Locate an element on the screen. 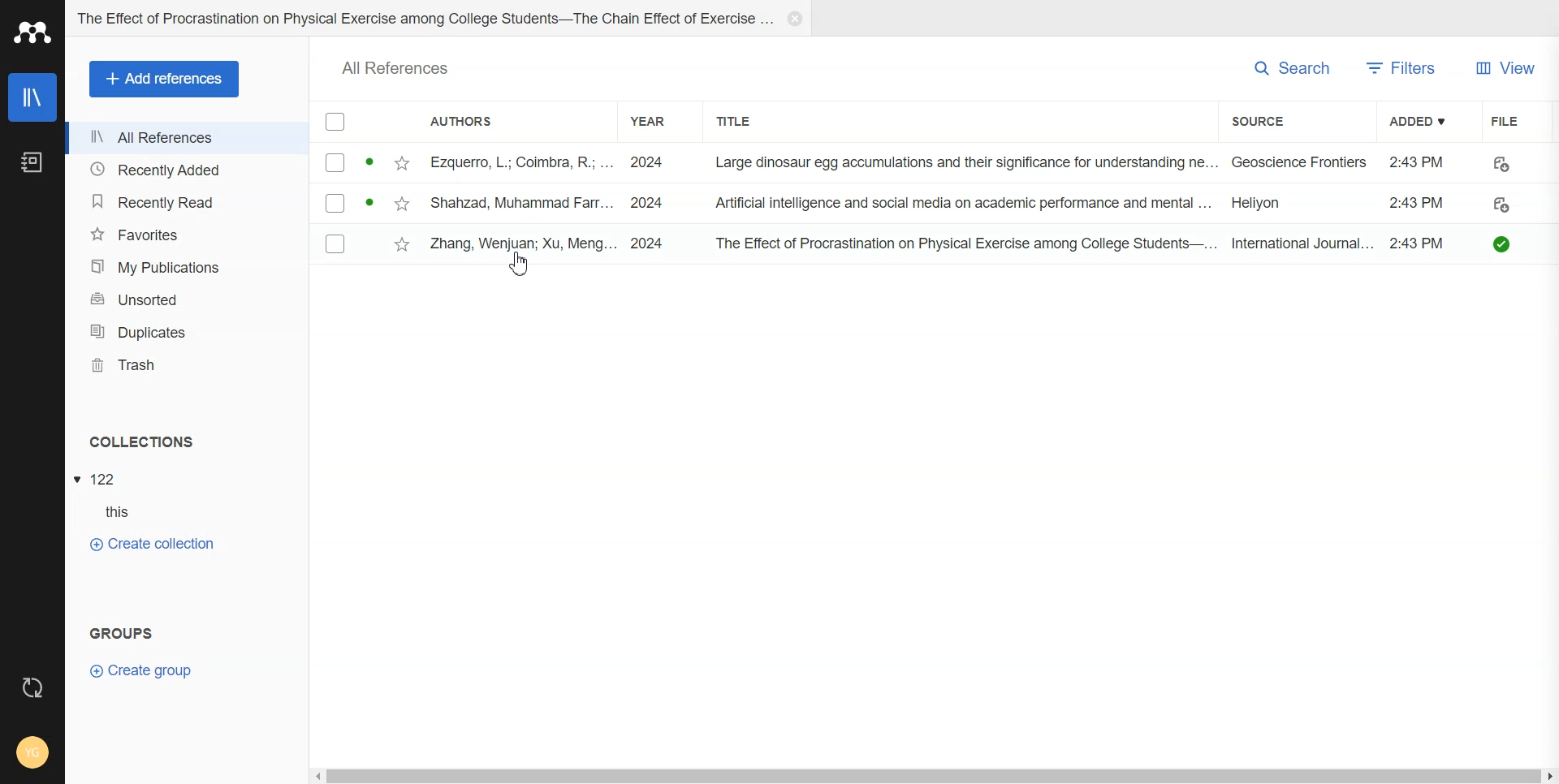 The image size is (1559, 784). File is located at coordinates (1513, 120).